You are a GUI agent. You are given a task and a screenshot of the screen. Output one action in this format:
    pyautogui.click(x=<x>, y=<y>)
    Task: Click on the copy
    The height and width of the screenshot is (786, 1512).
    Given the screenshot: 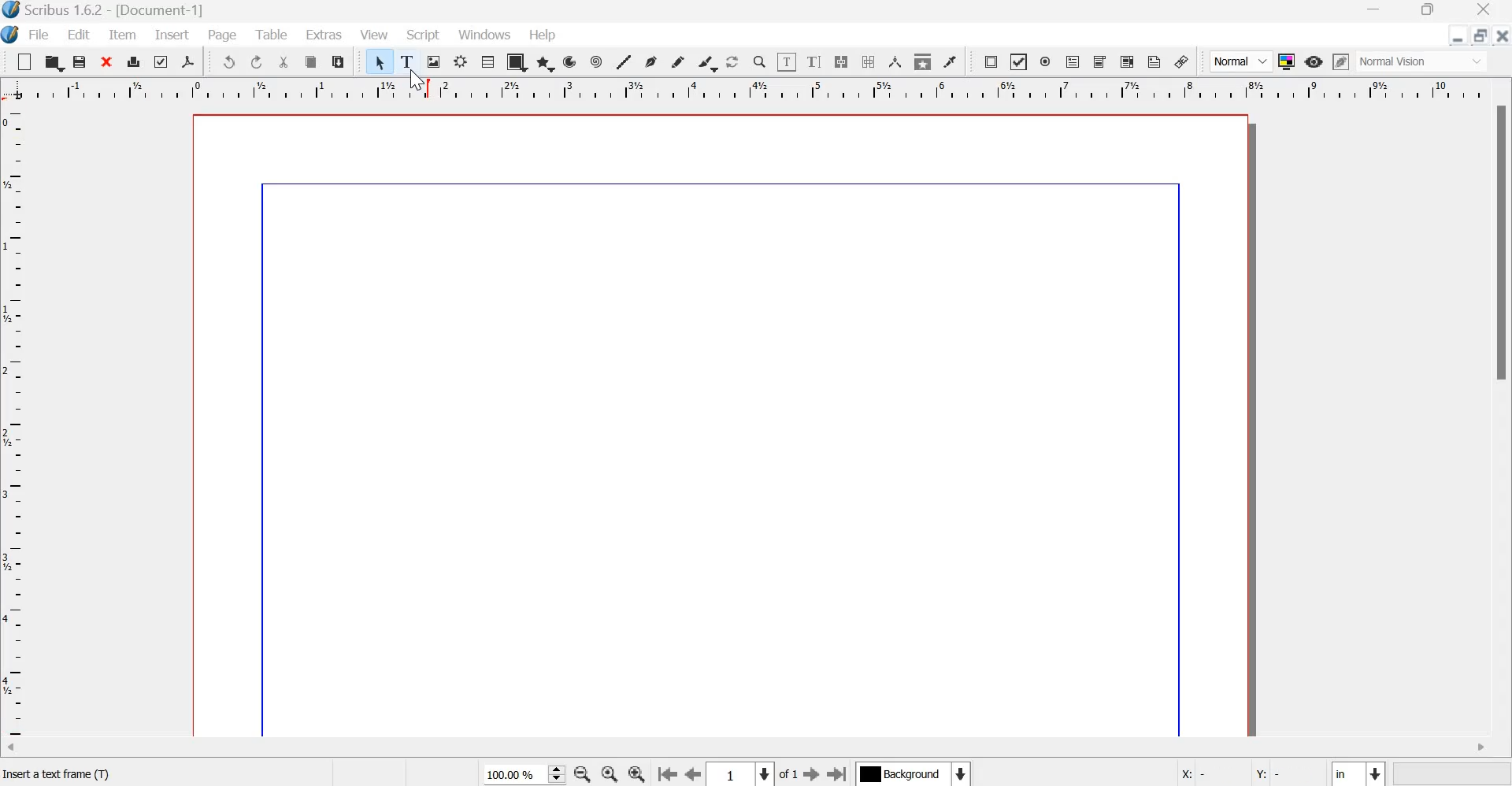 What is the action you would take?
    pyautogui.click(x=312, y=62)
    